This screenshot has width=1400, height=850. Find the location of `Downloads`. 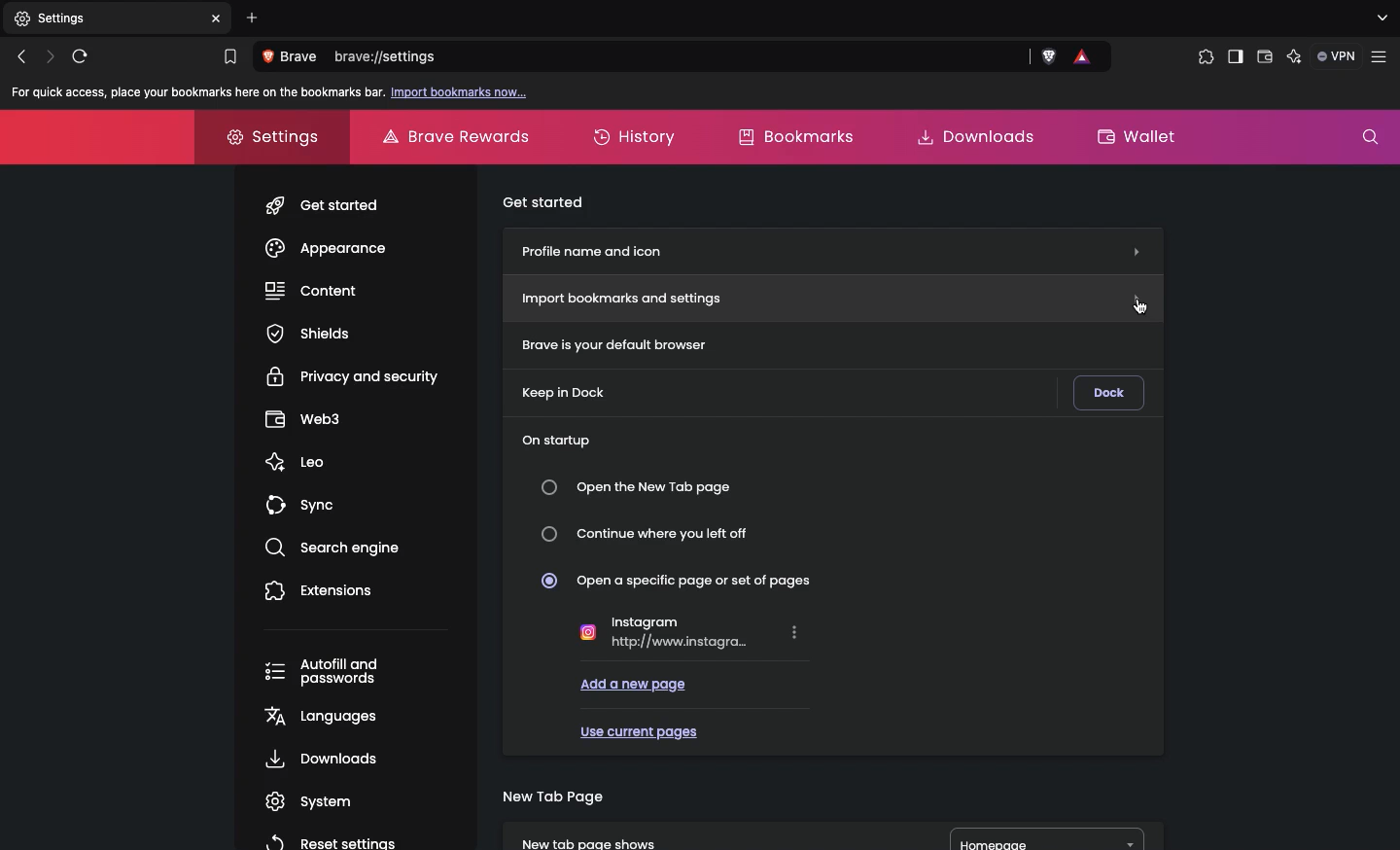

Downloads is located at coordinates (318, 759).